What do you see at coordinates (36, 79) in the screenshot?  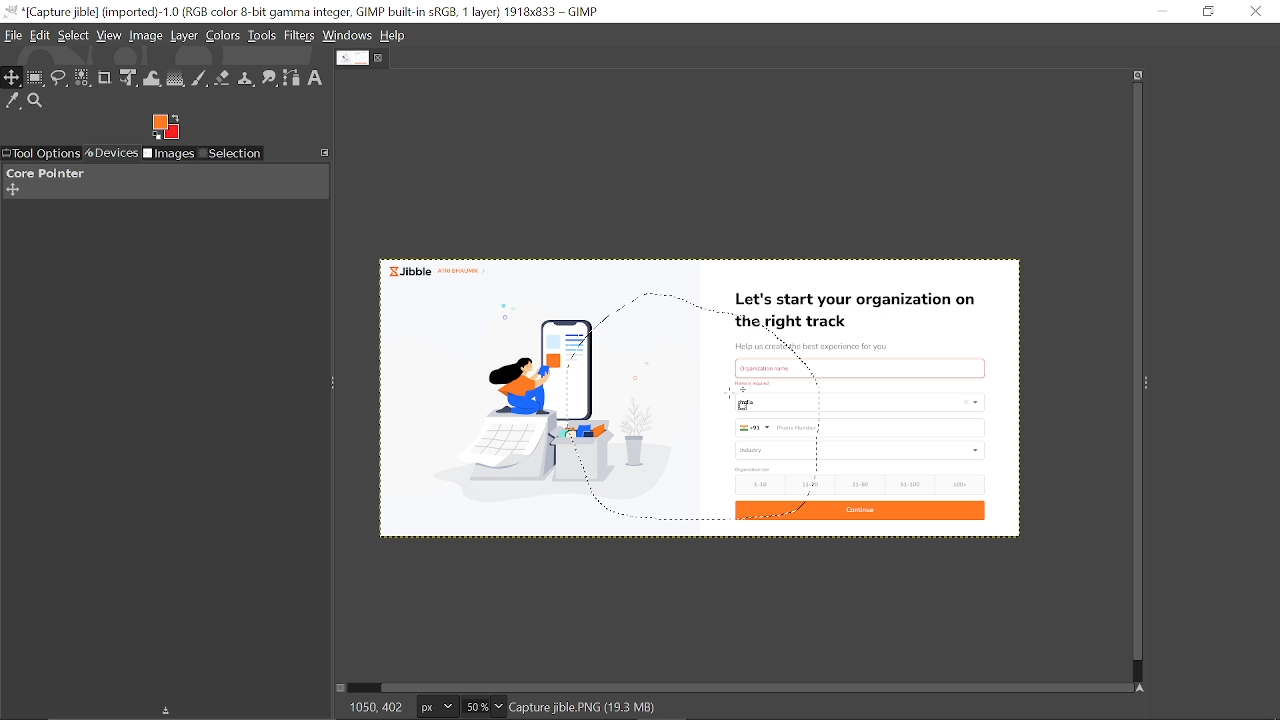 I see `Rectangular select tool` at bounding box center [36, 79].